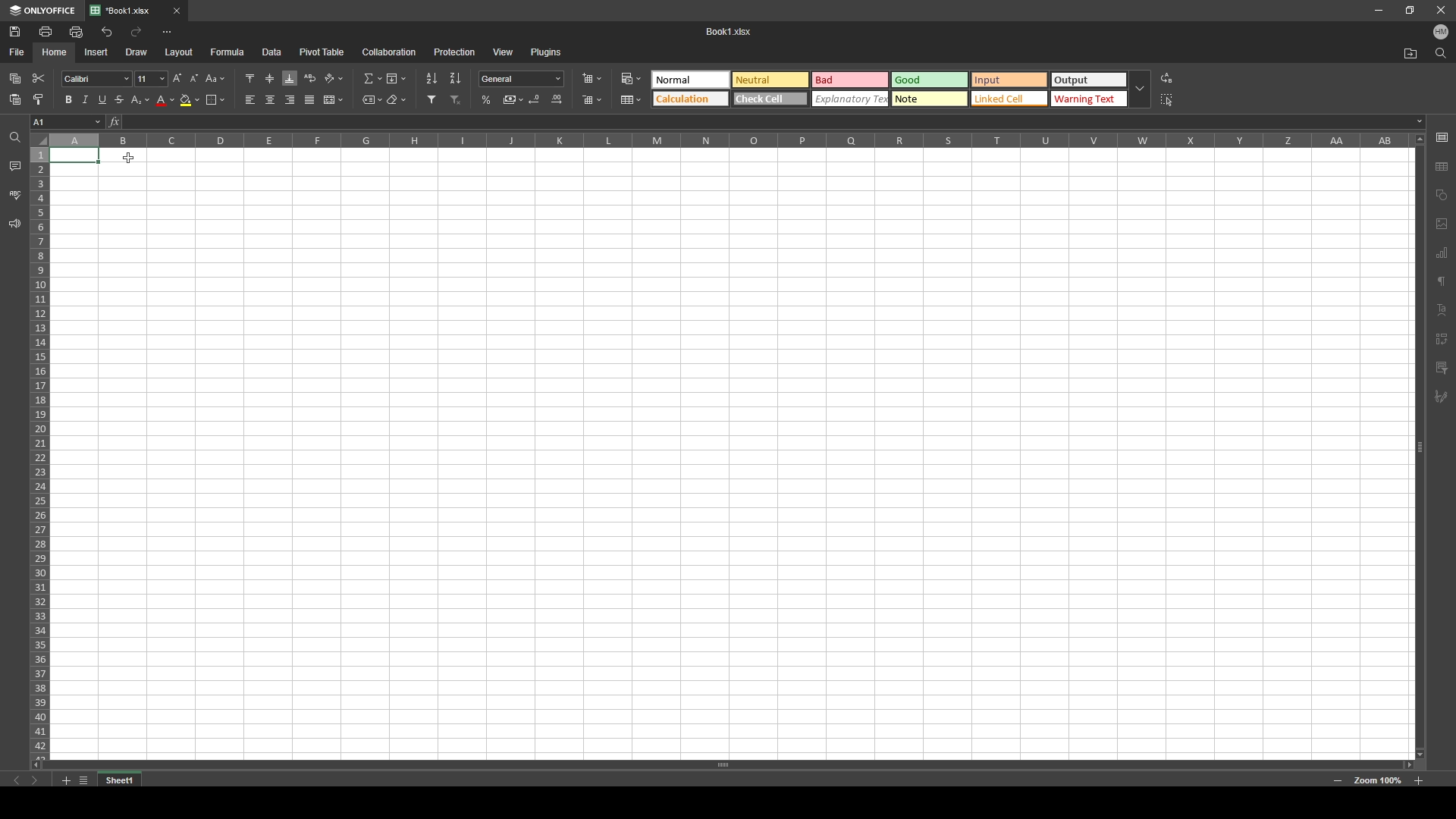  What do you see at coordinates (141, 100) in the screenshot?
I see `subscript` at bounding box center [141, 100].